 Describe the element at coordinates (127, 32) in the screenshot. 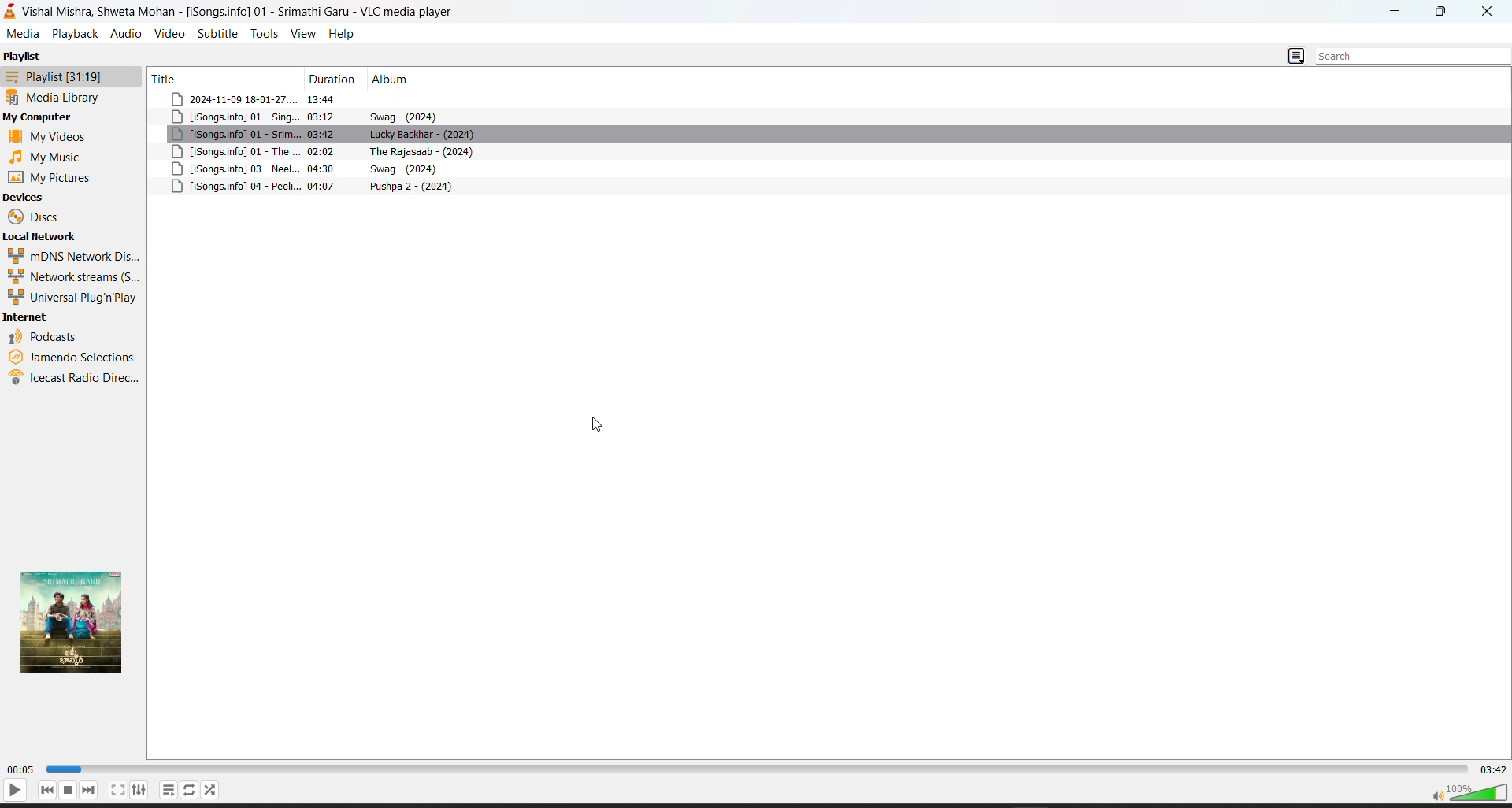

I see `audio` at that location.